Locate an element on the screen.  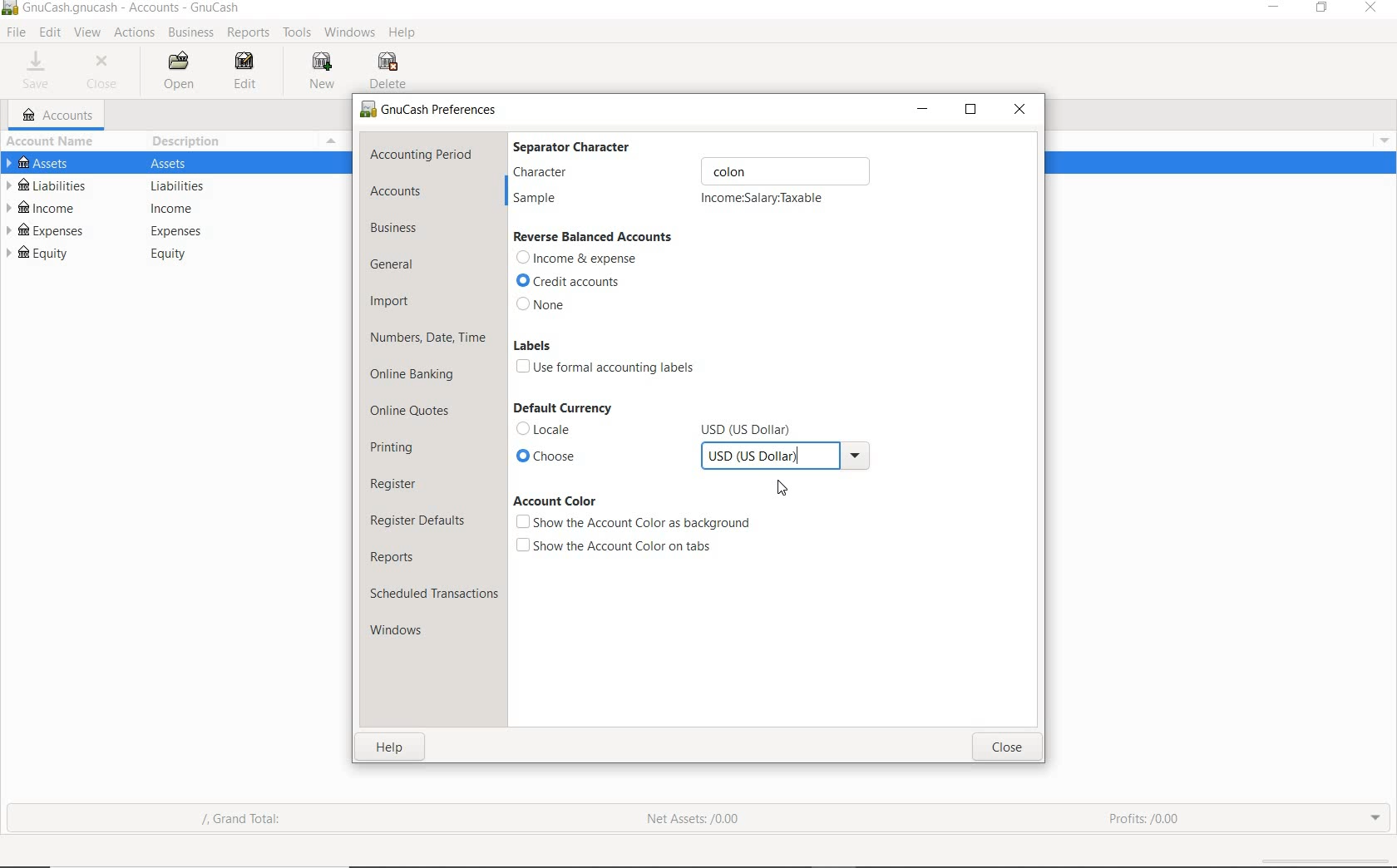
 is located at coordinates (182, 209).